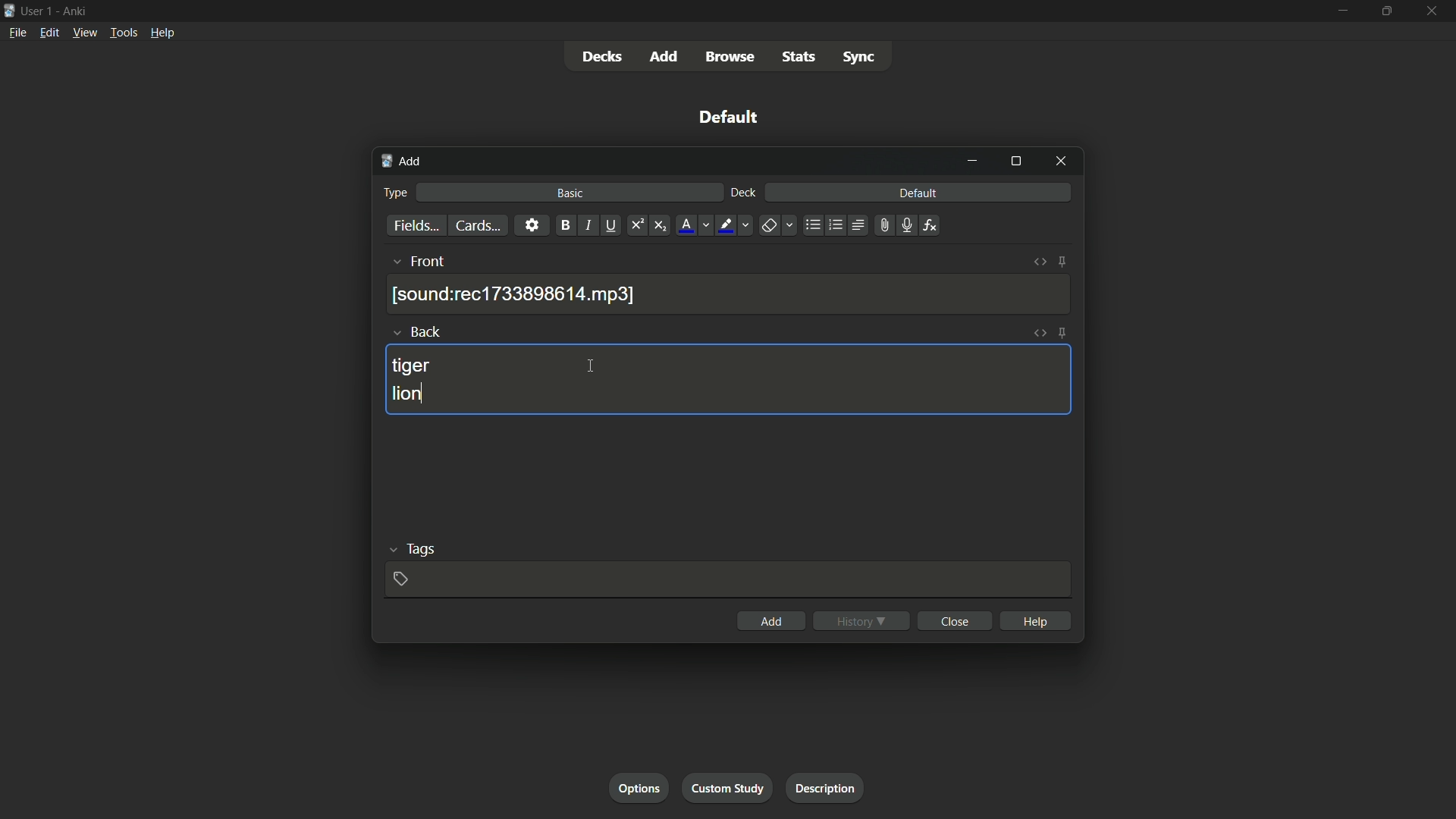  Describe the element at coordinates (1015, 162) in the screenshot. I see `maximize` at that location.